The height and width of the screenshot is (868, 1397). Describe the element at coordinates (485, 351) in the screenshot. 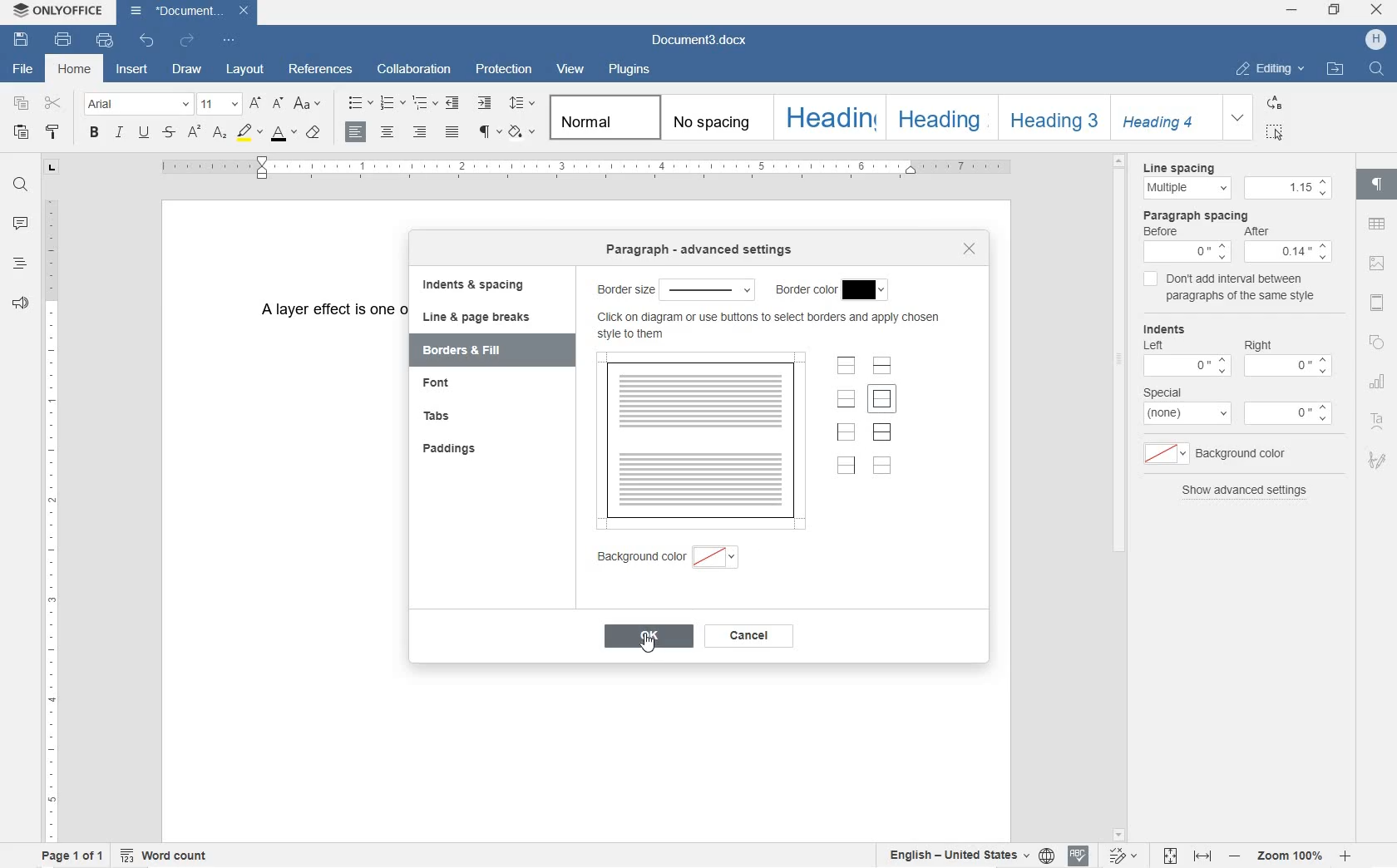

I see `borders & fill` at that location.